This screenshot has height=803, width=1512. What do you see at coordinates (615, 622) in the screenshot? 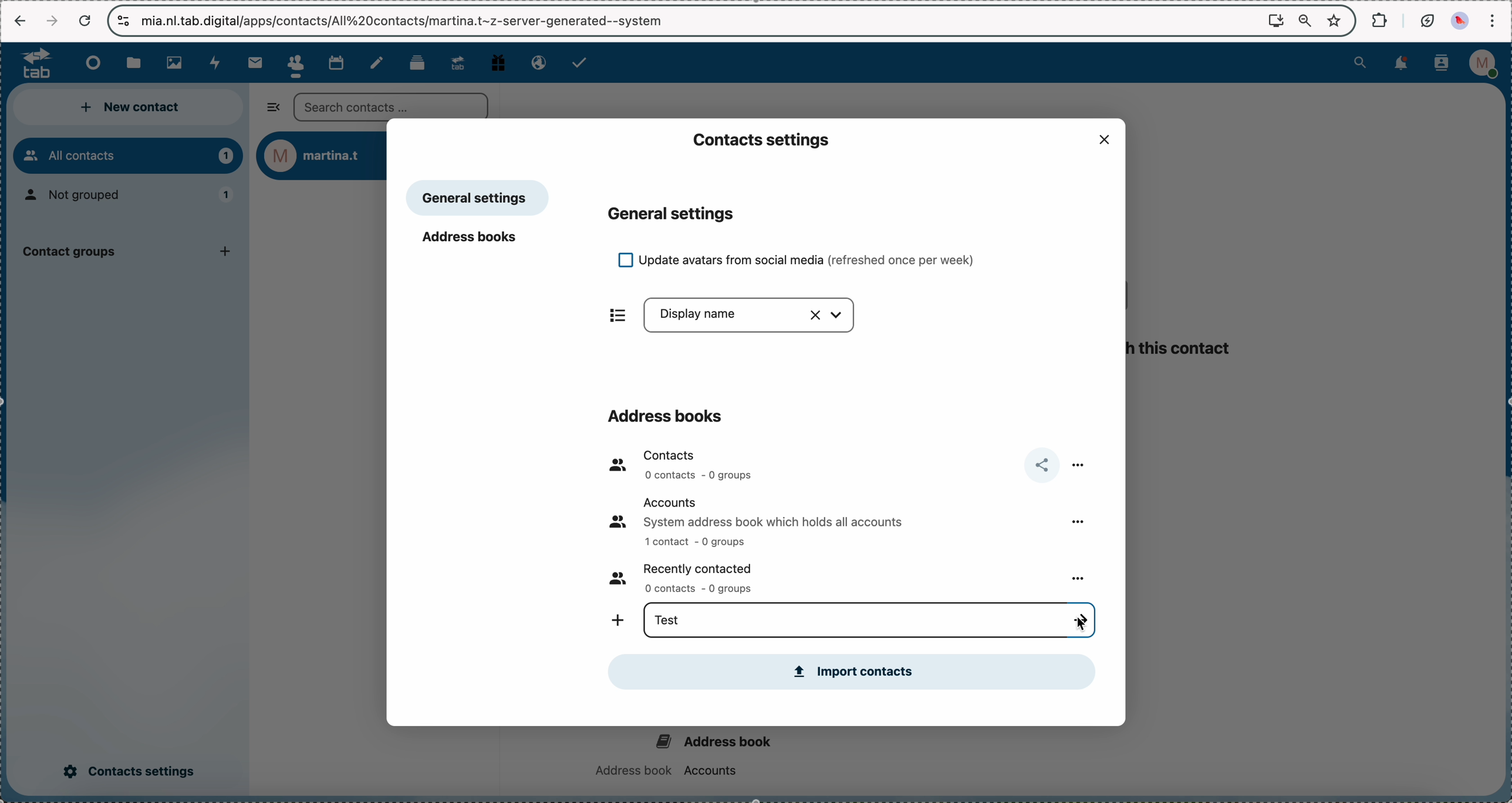
I see `add new address book` at bounding box center [615, 622].